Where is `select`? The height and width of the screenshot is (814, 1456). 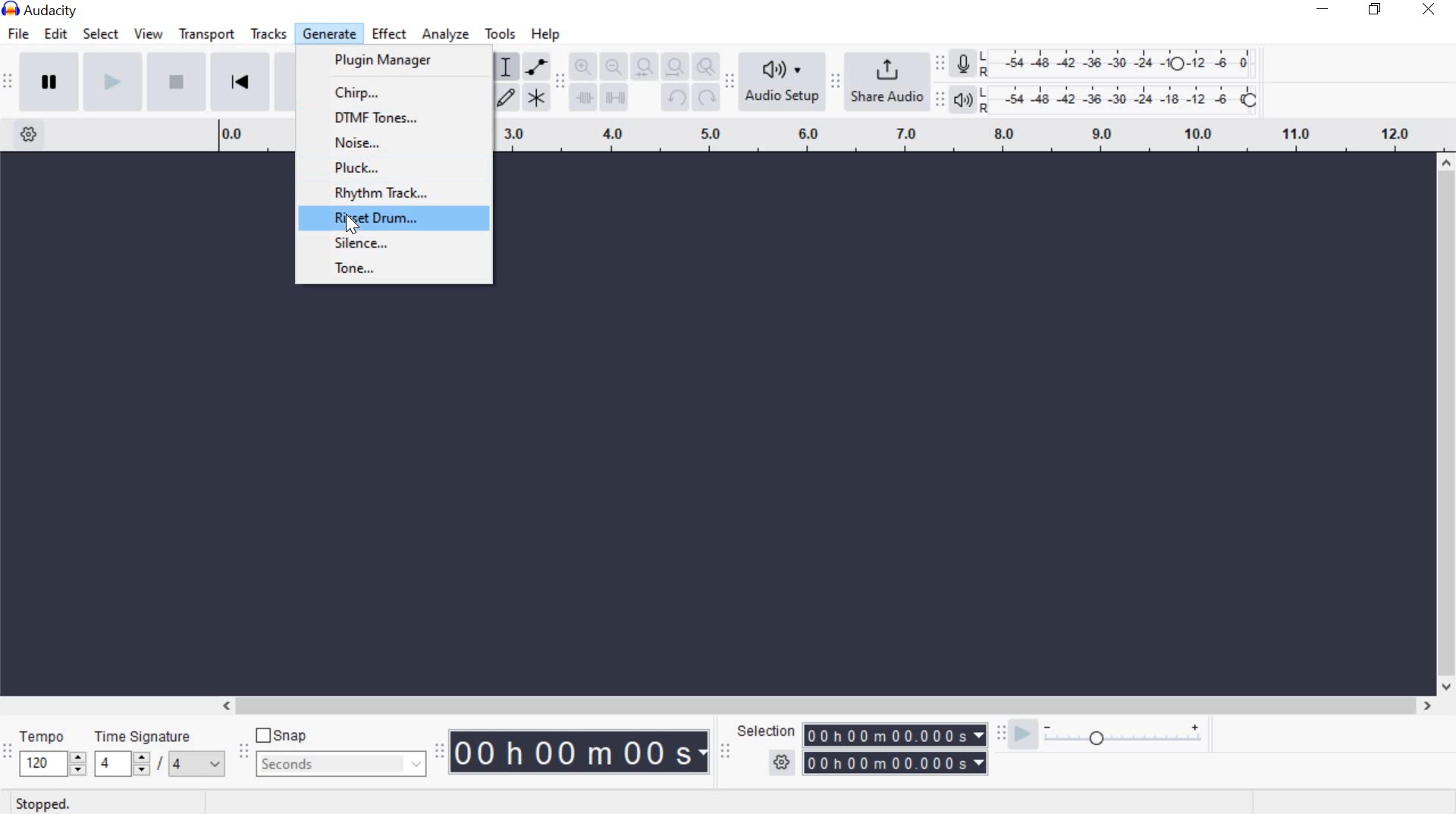
select is located at coordinates (101, 36).